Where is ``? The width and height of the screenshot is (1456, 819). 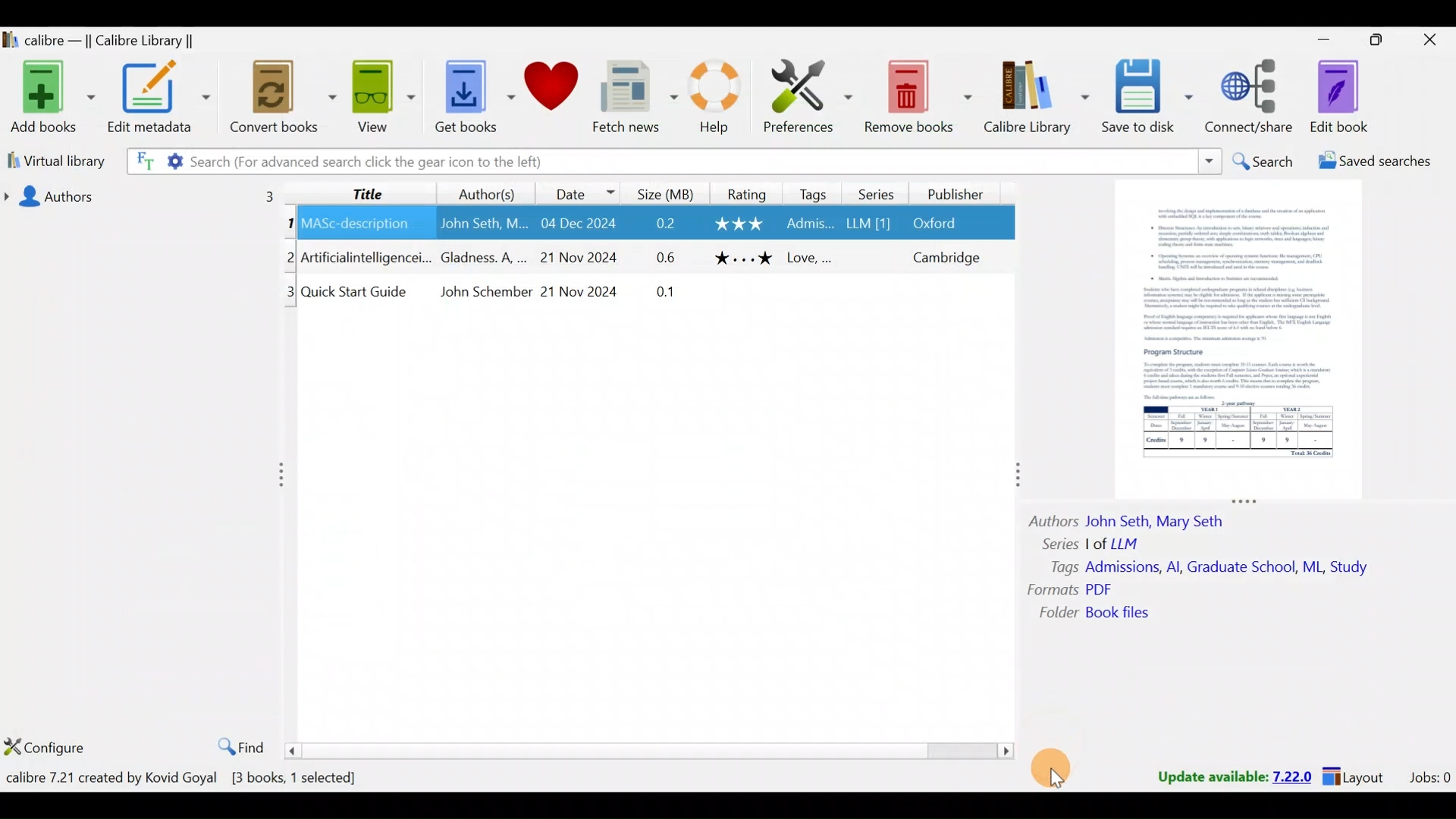
 is located at coordinates (666, 293).